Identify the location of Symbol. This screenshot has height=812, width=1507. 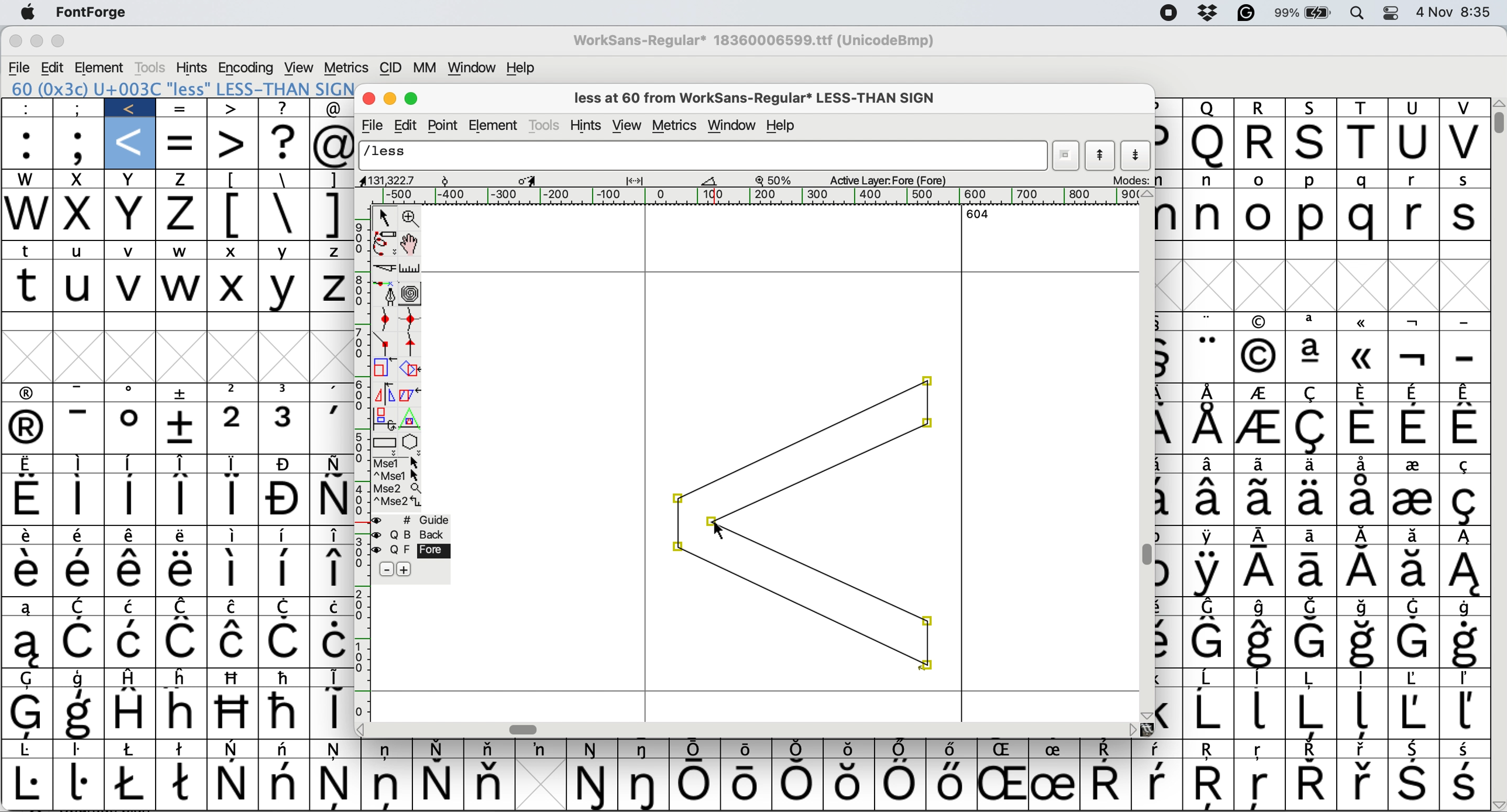
(1309, 500).